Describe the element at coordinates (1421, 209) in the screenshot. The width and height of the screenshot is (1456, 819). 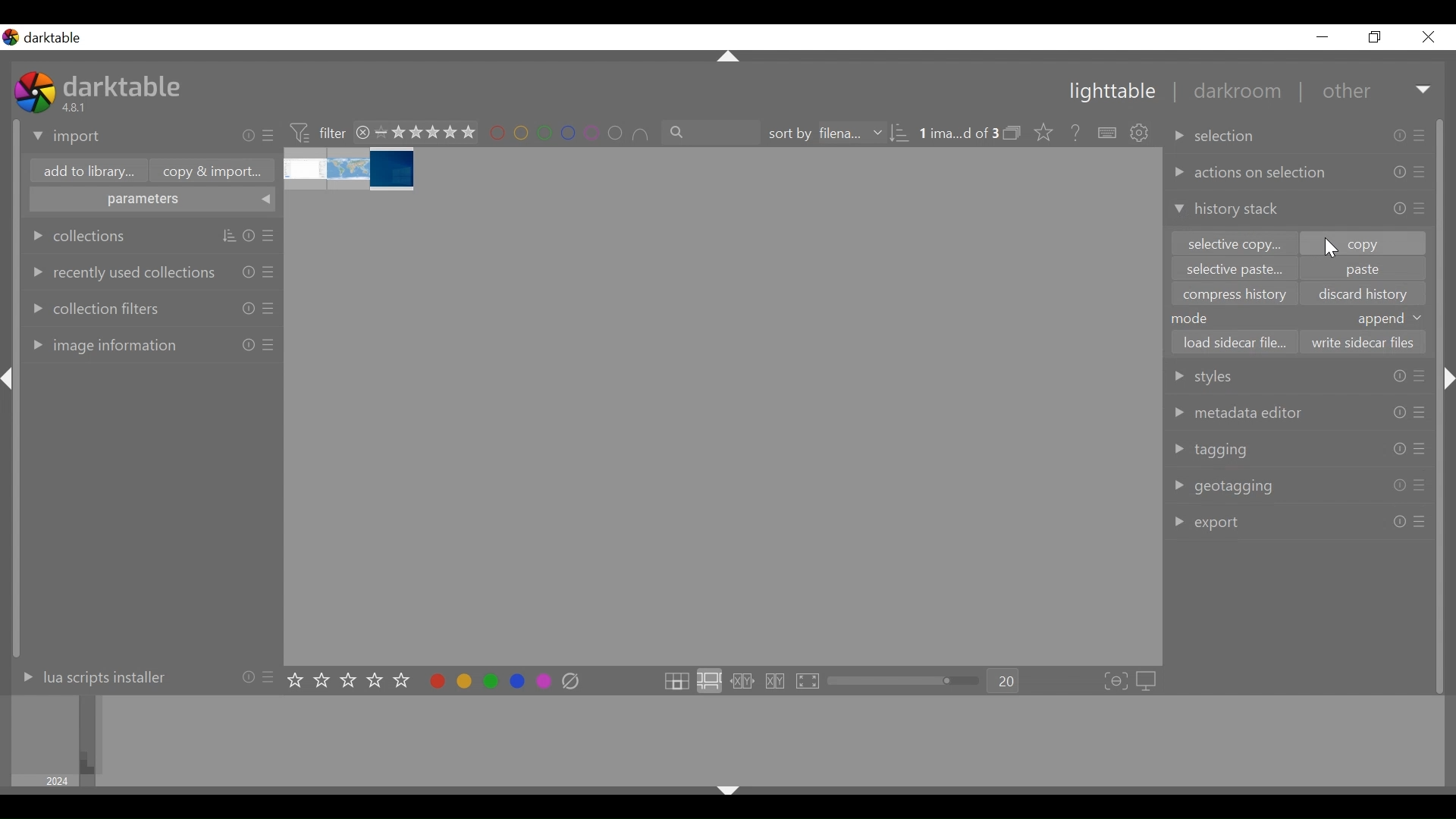
I see `presets` at that location.